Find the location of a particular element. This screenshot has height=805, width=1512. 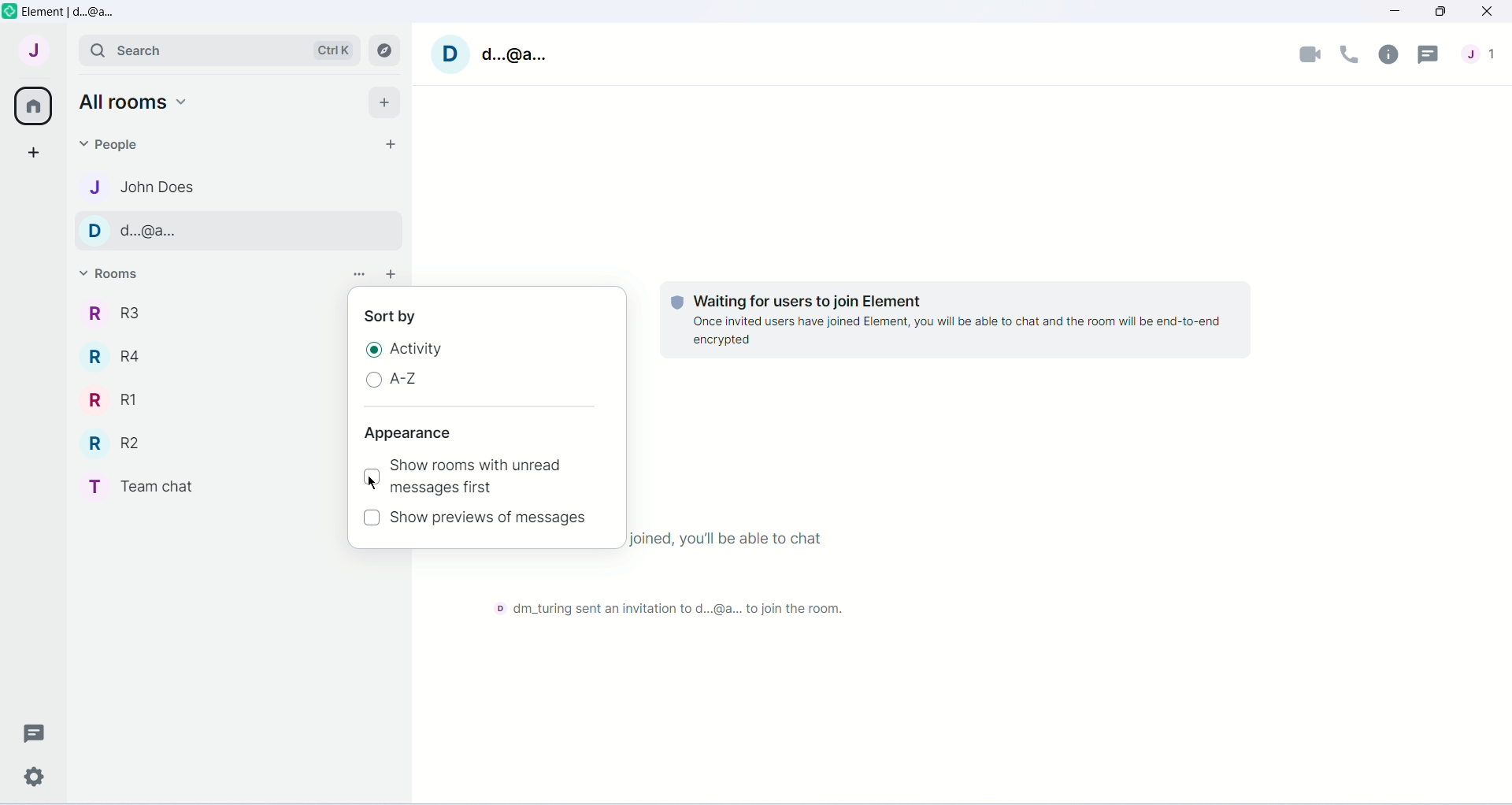

Maximize is located at coordinates (1440, 13).